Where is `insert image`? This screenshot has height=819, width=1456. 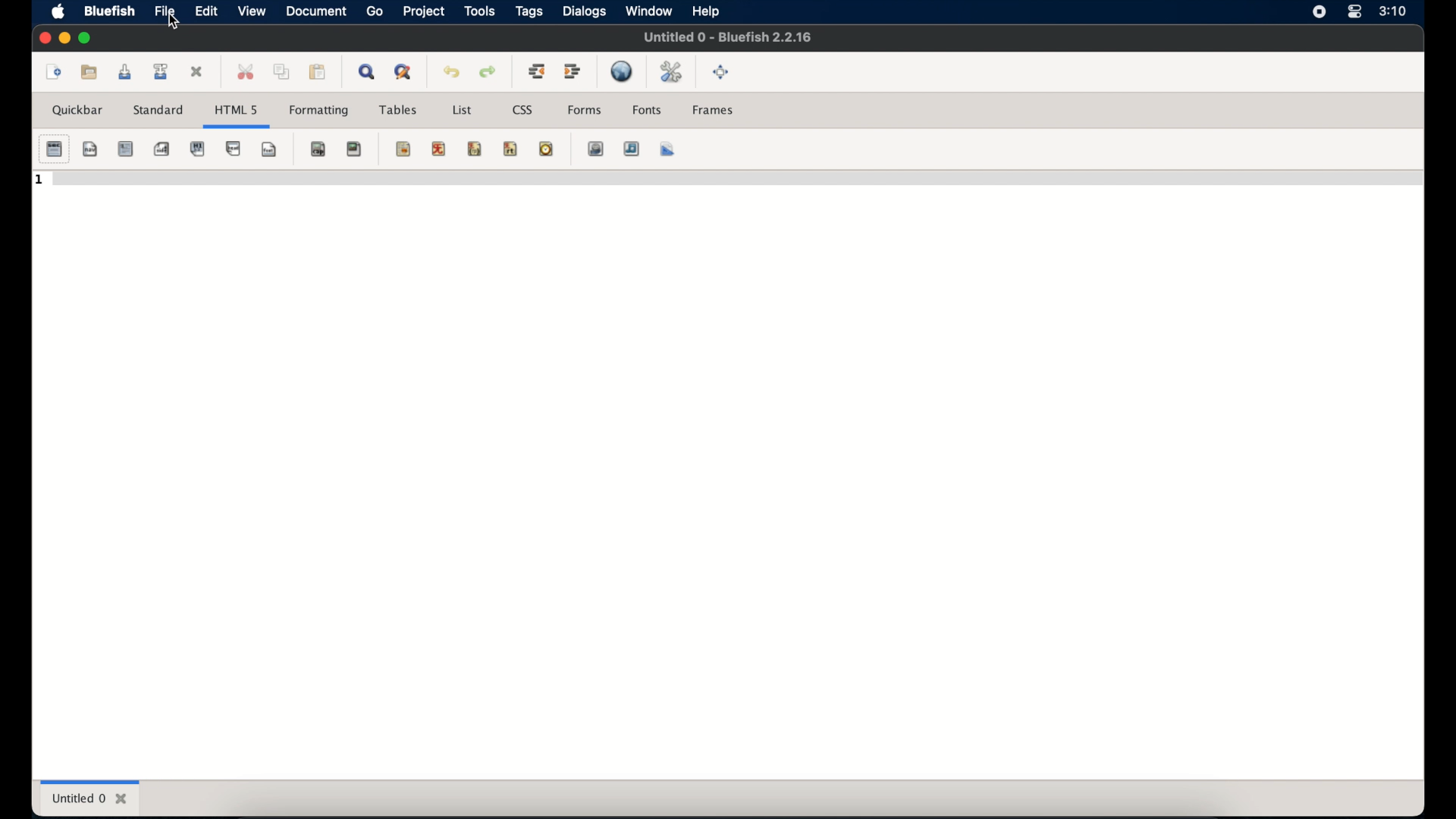 insert image is located at coordinates (582, 149).